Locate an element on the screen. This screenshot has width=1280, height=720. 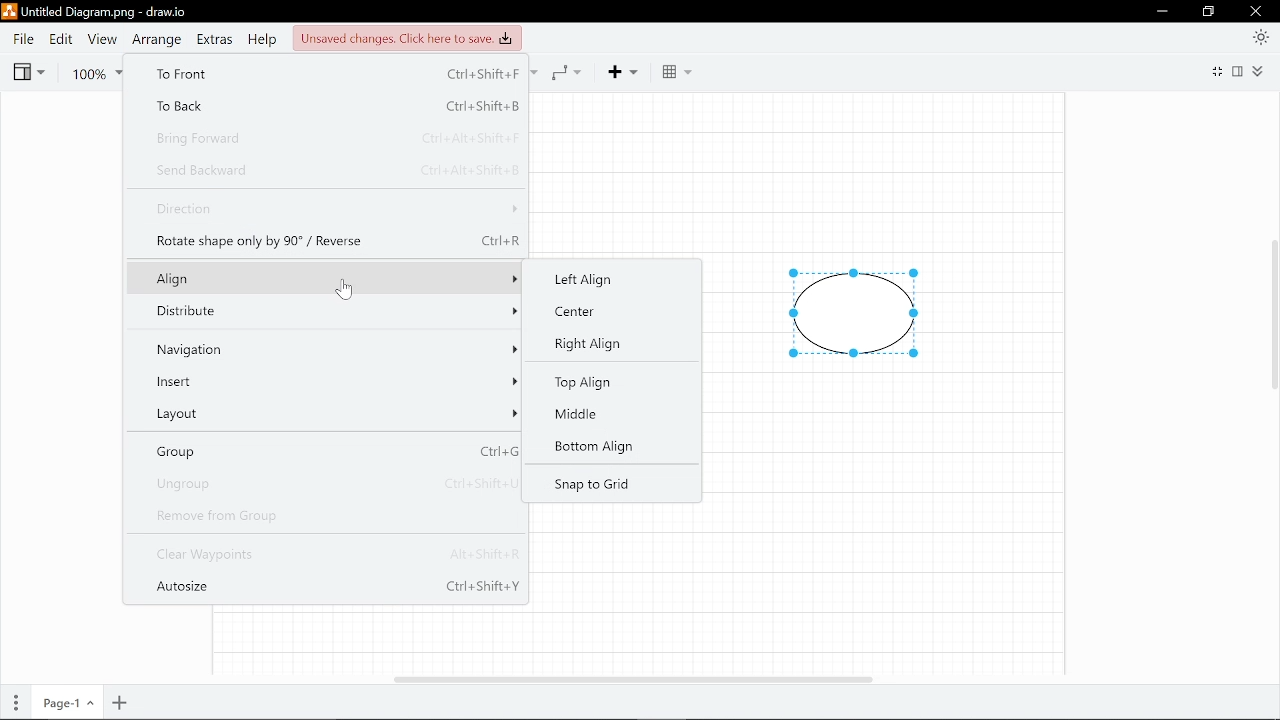
Close window is located at coordinates (1257, 11).